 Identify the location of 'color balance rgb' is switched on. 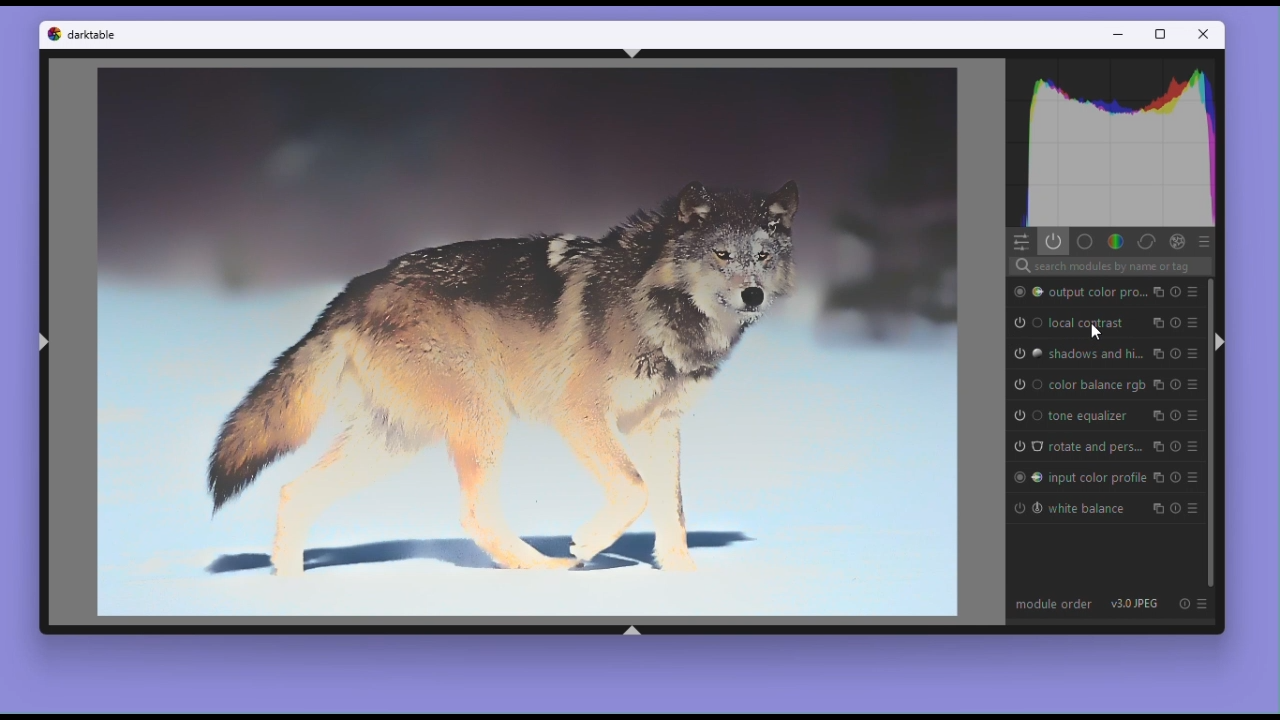
(1026, 385).